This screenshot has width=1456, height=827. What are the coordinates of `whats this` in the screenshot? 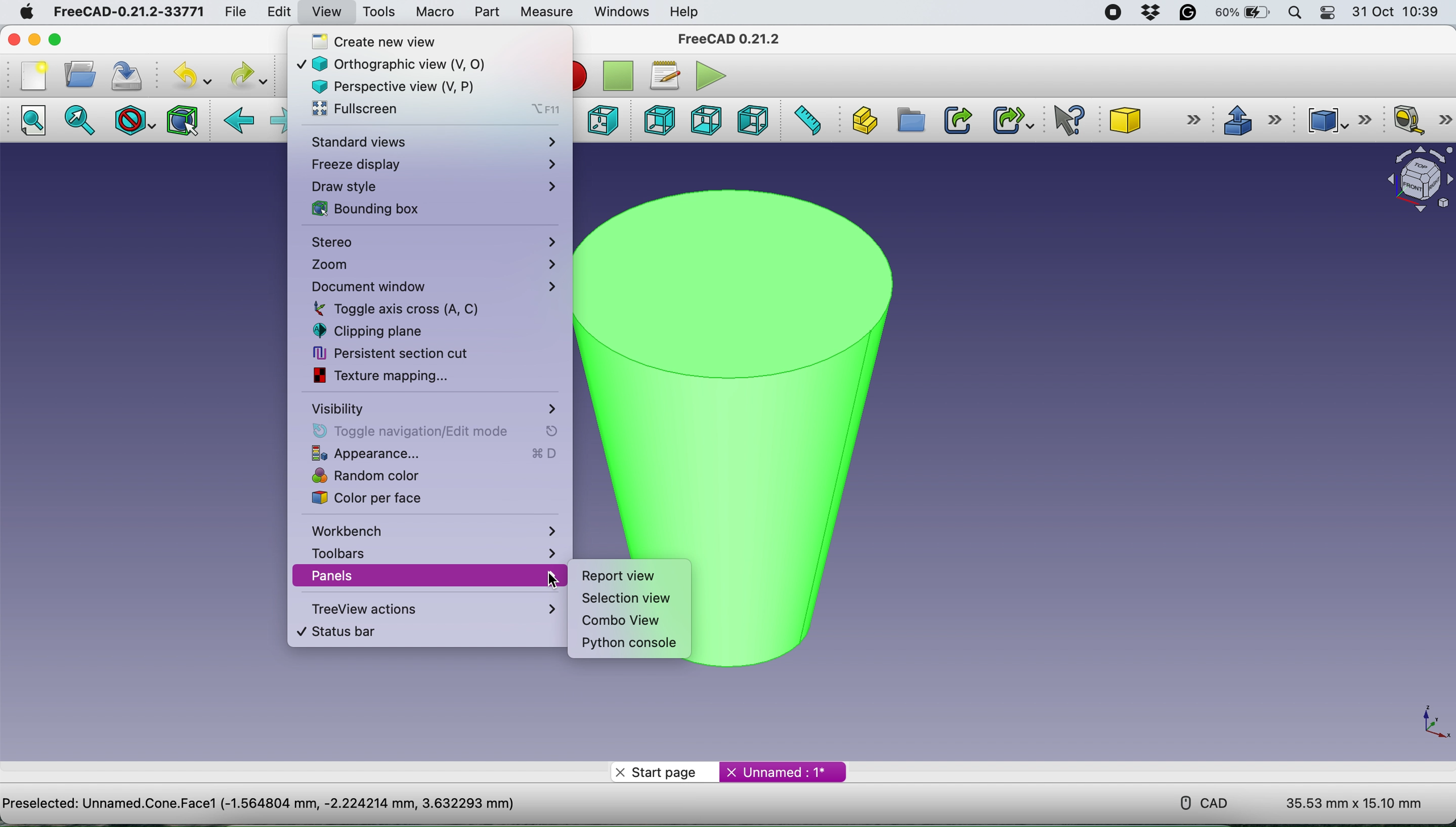 It's located at (1063, 121).